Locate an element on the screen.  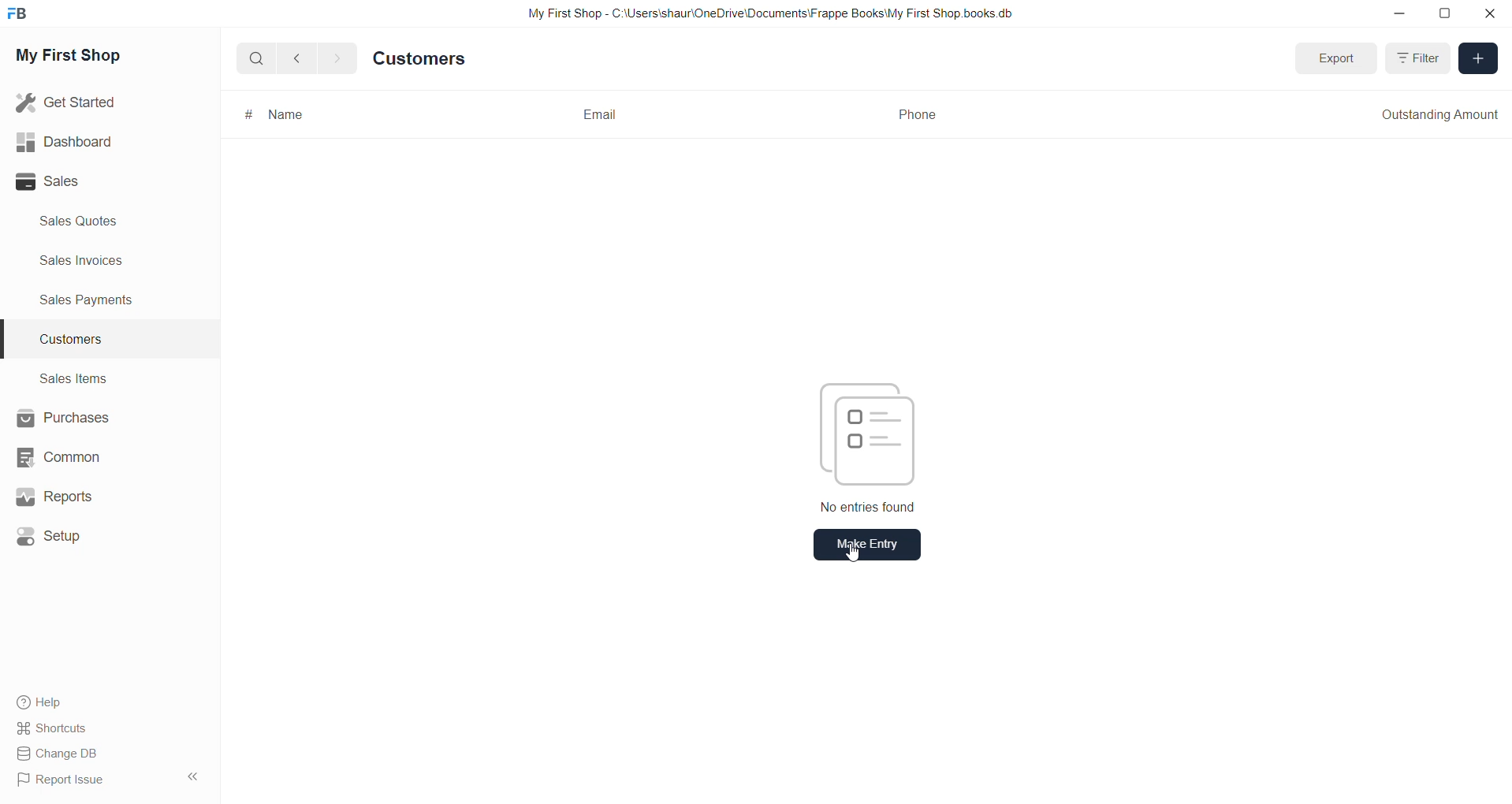
Filter is located at coordinates (1417, 57).